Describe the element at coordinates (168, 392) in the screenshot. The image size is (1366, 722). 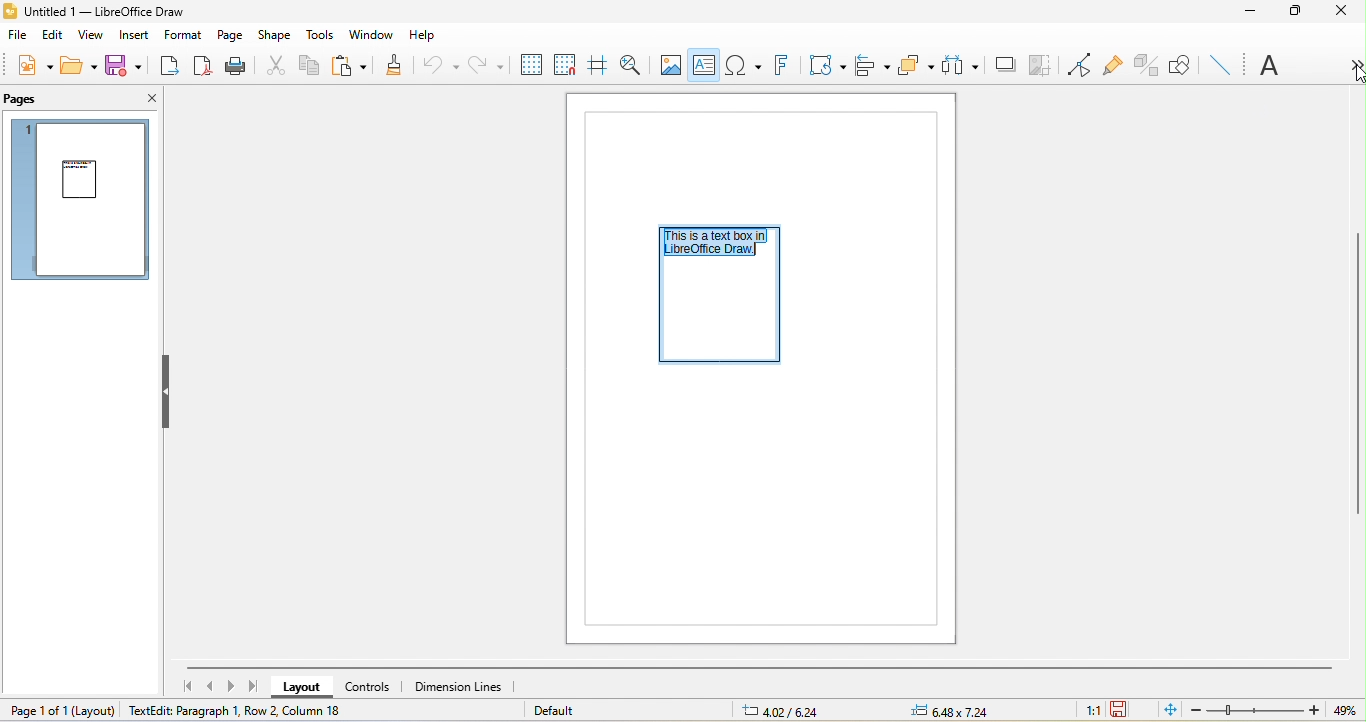
I see `hide` at that location.